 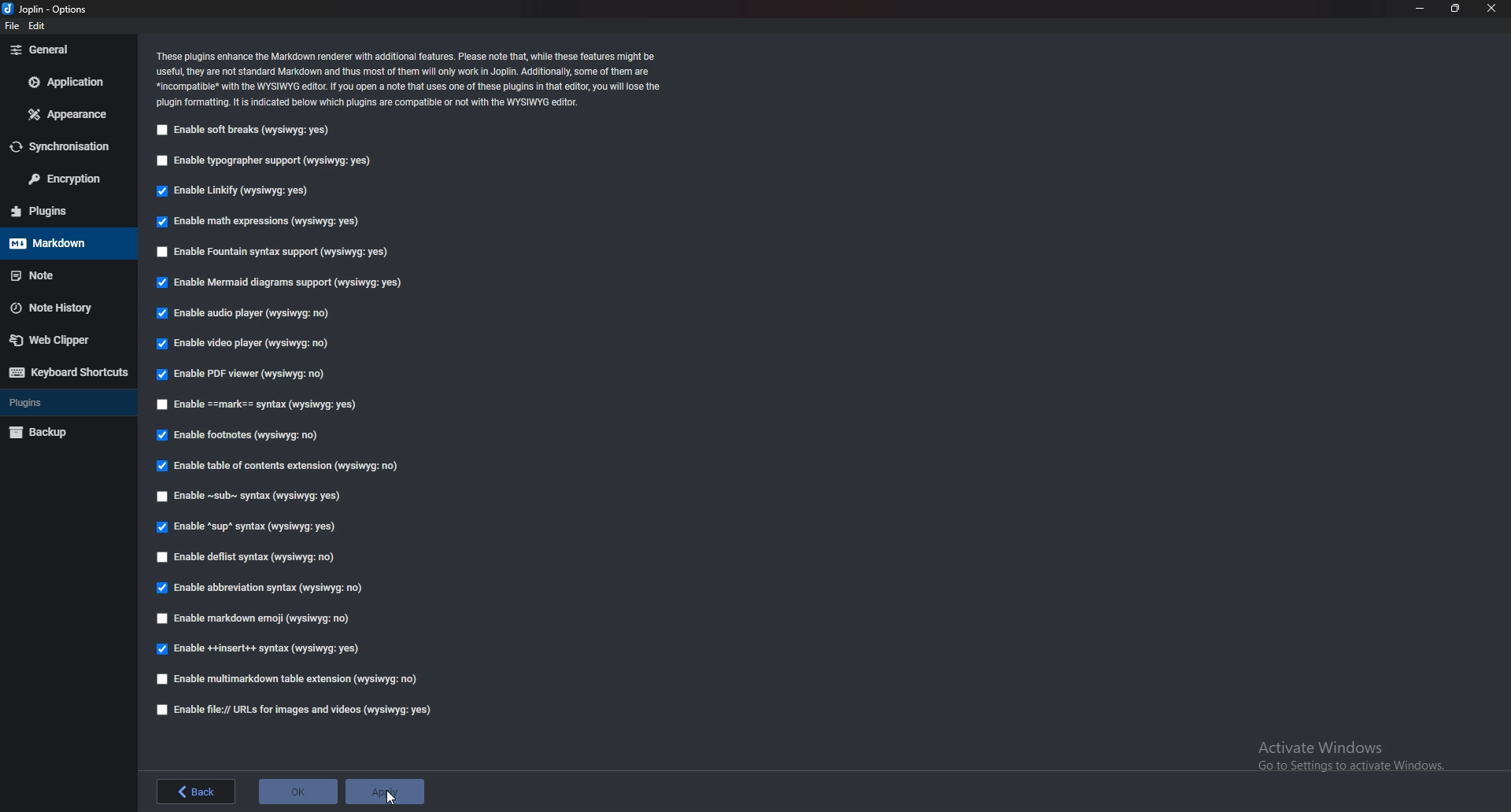 I want to click on Enable abbreviation syntax, so click(x=271, y=585).